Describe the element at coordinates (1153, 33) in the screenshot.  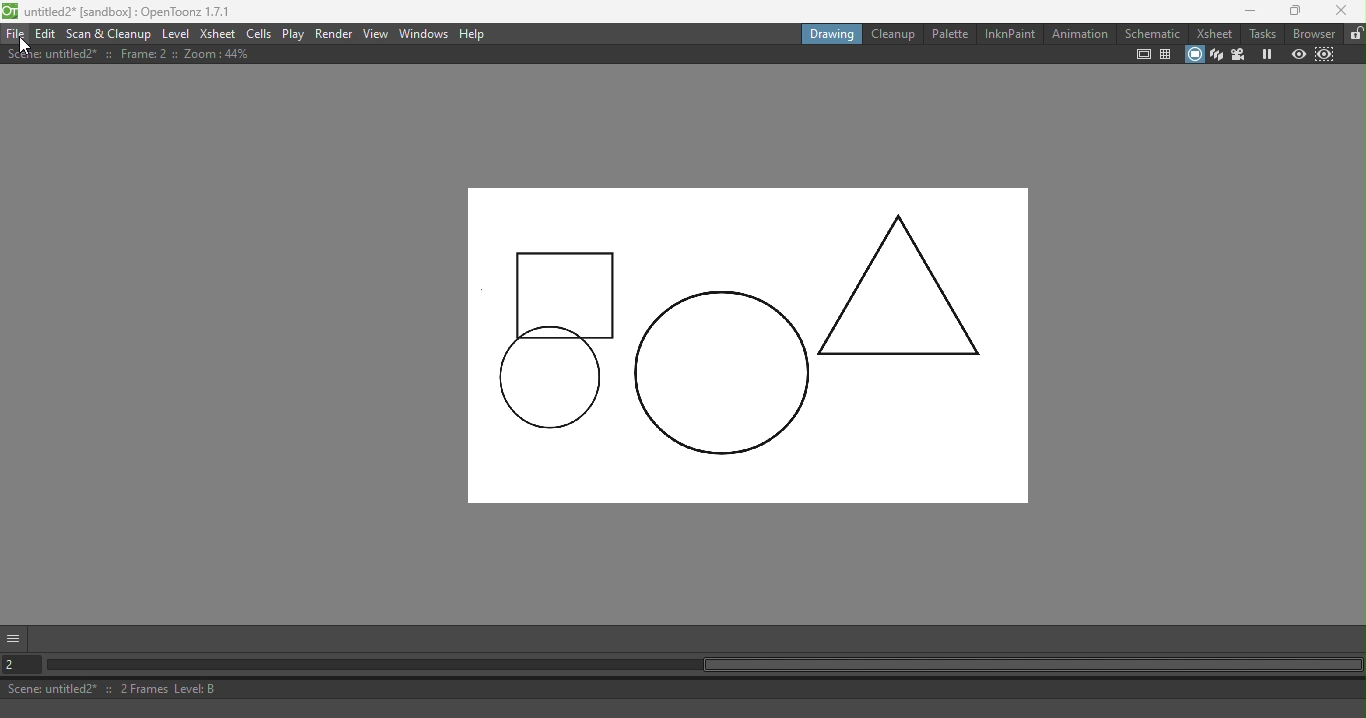
I see `Schematic` at that location.